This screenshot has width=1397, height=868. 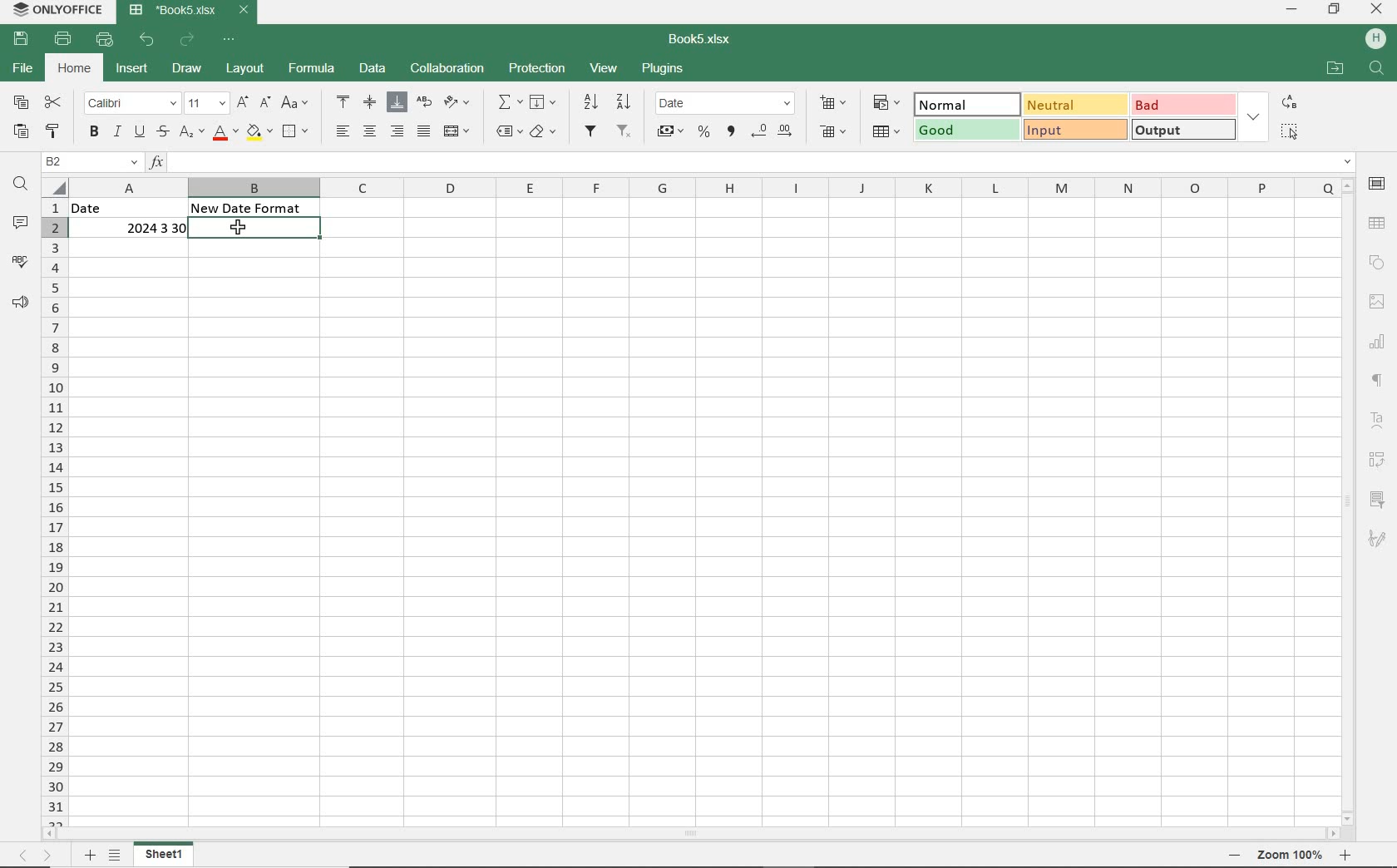 I want to click on DOCUMENT NAME, so click(x=700, y=40).